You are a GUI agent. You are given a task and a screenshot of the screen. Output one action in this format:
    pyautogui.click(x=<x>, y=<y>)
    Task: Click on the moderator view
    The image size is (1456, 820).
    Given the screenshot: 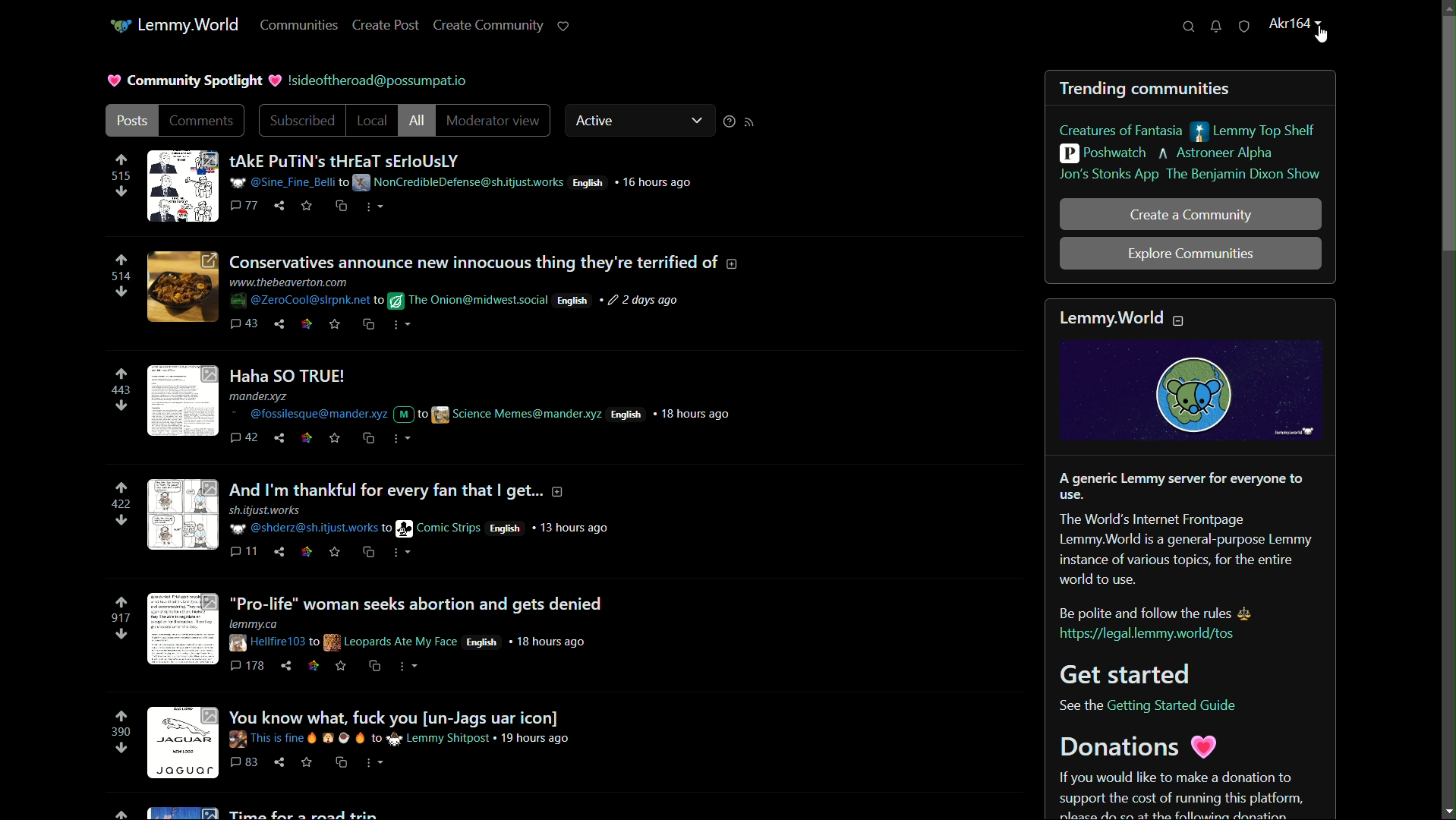 What is the action you would take?
    pyautogui.click(x=493, y=120)
    